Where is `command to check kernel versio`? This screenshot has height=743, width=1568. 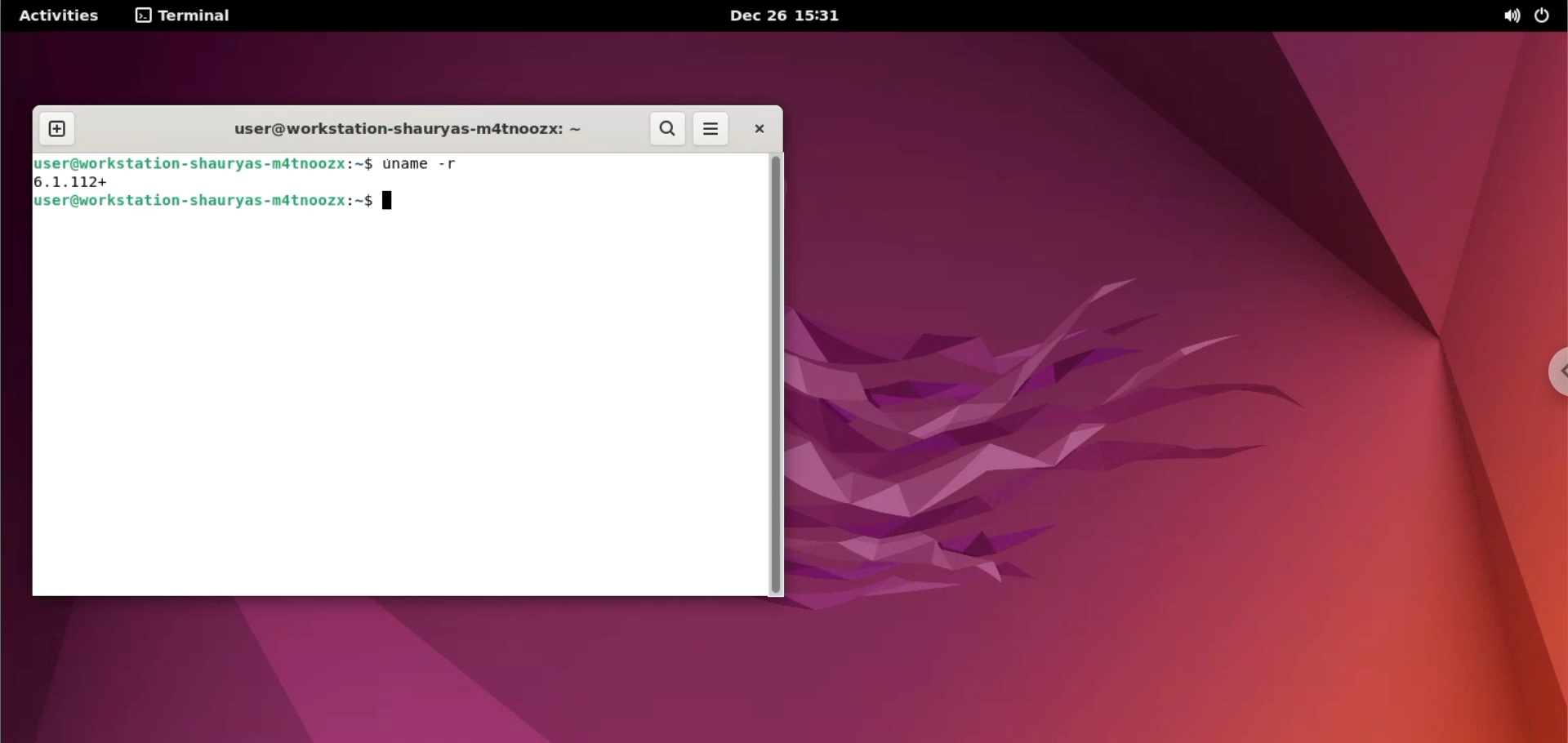
command to check kernel versio is located at coordinates (390, 130).